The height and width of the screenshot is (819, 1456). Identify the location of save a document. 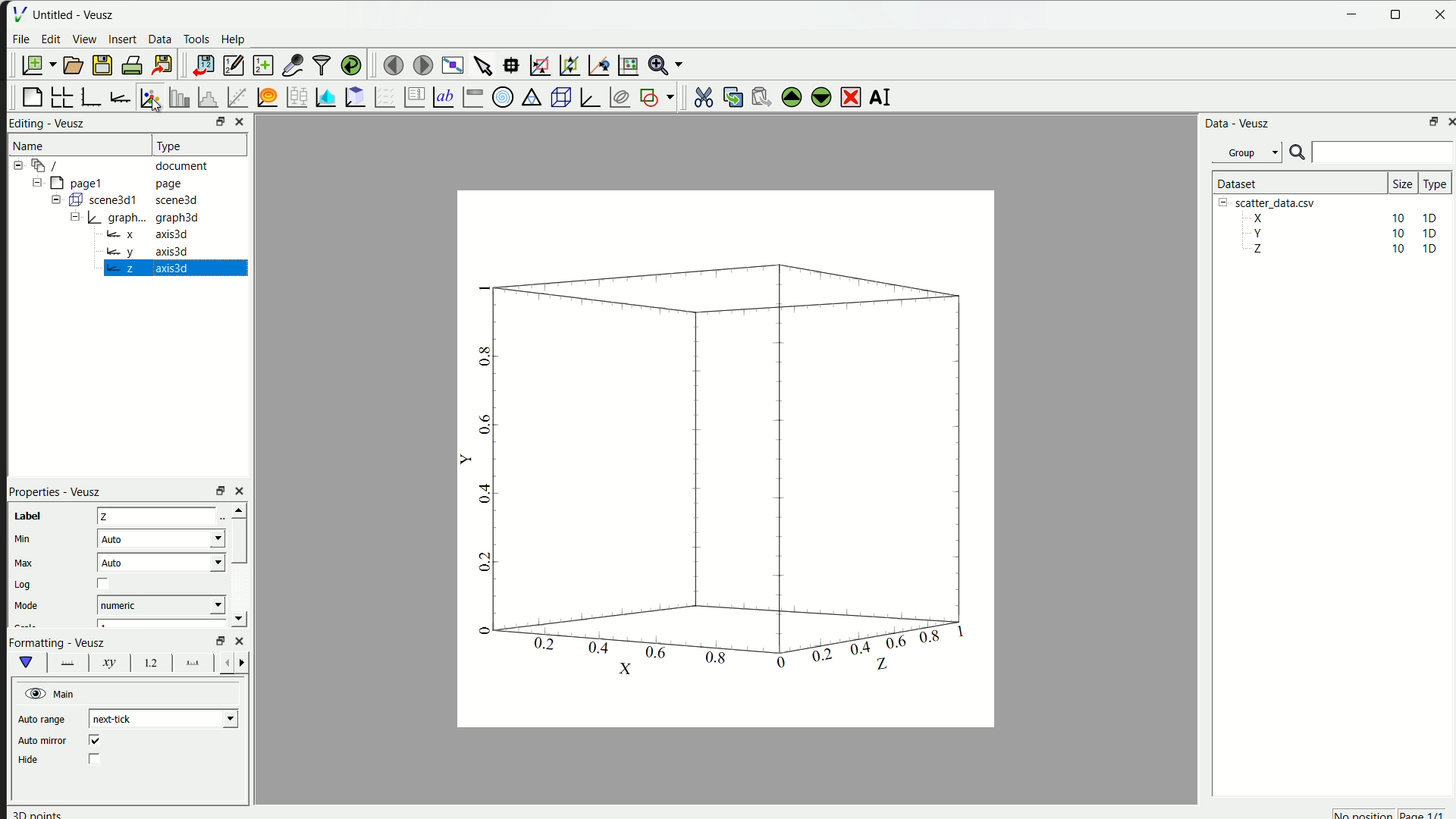
(100, 66).